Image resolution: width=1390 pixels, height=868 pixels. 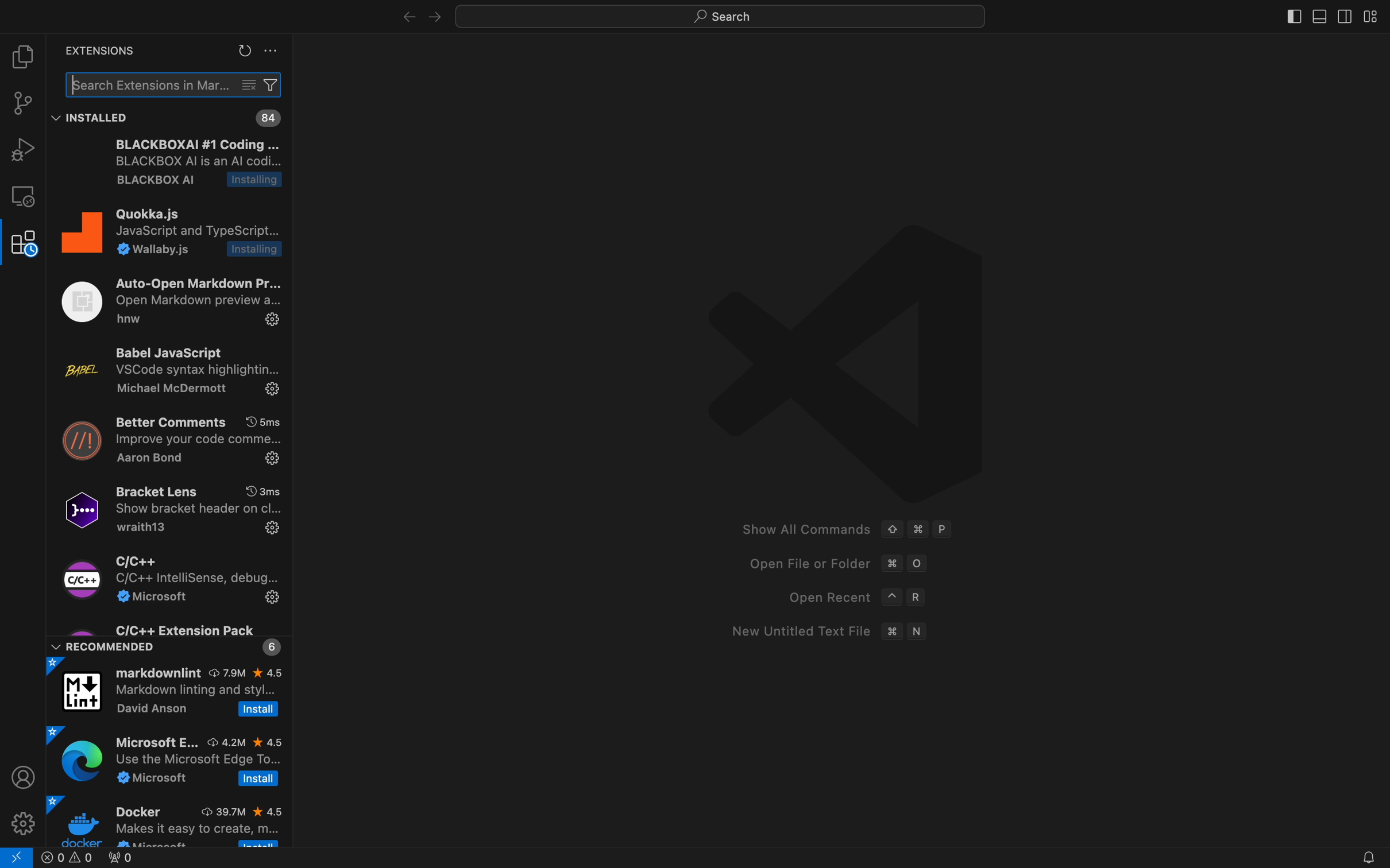 What do you see at coordinates (244, 51) in the screenshot?
I see `reload` at bounding box center [244, 51].